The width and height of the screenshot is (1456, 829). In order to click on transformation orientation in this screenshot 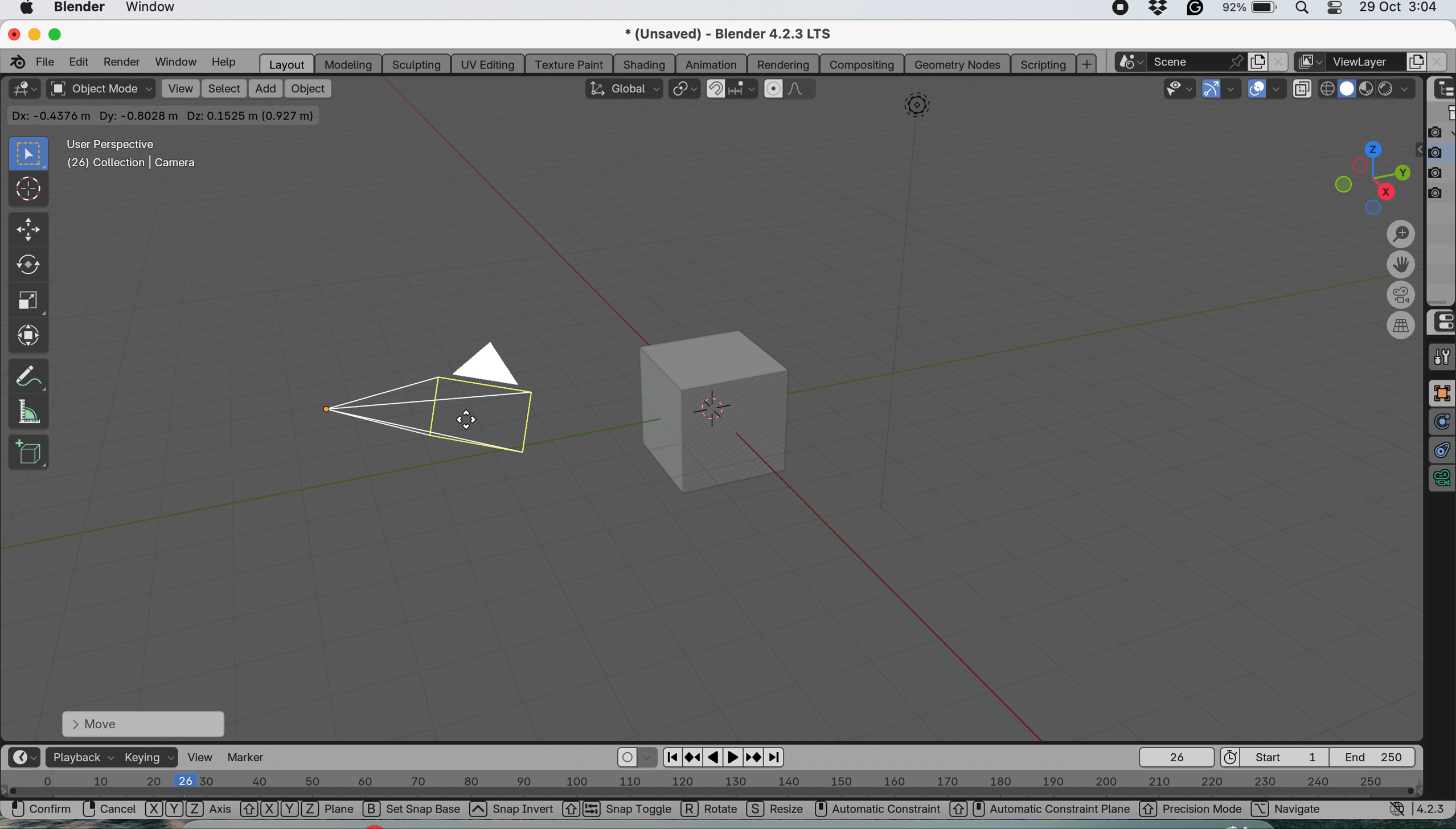, I will do `click(622, 88)`.